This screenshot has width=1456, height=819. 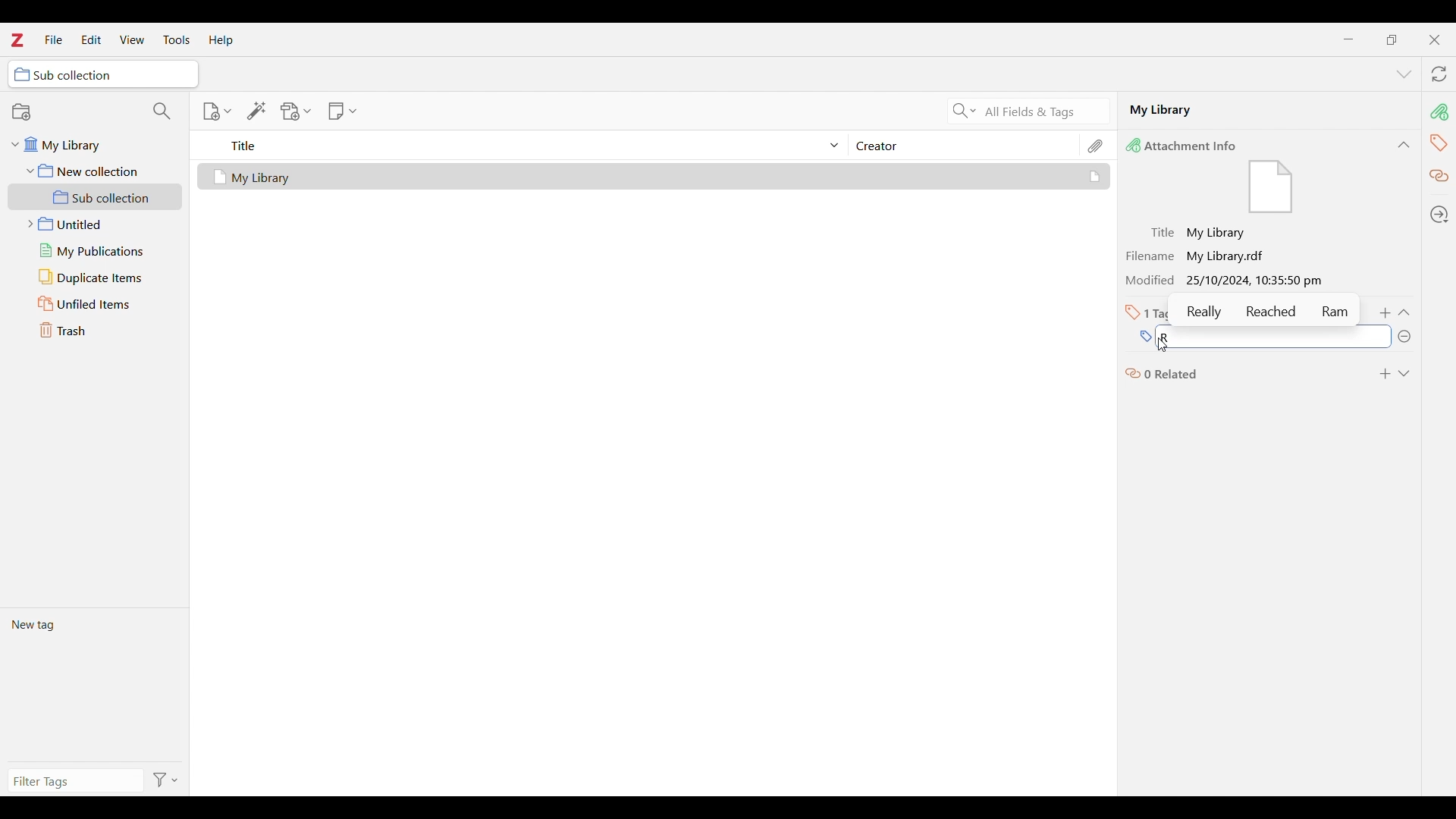 I want to click on My publications folder, so click(x=94, y=250).